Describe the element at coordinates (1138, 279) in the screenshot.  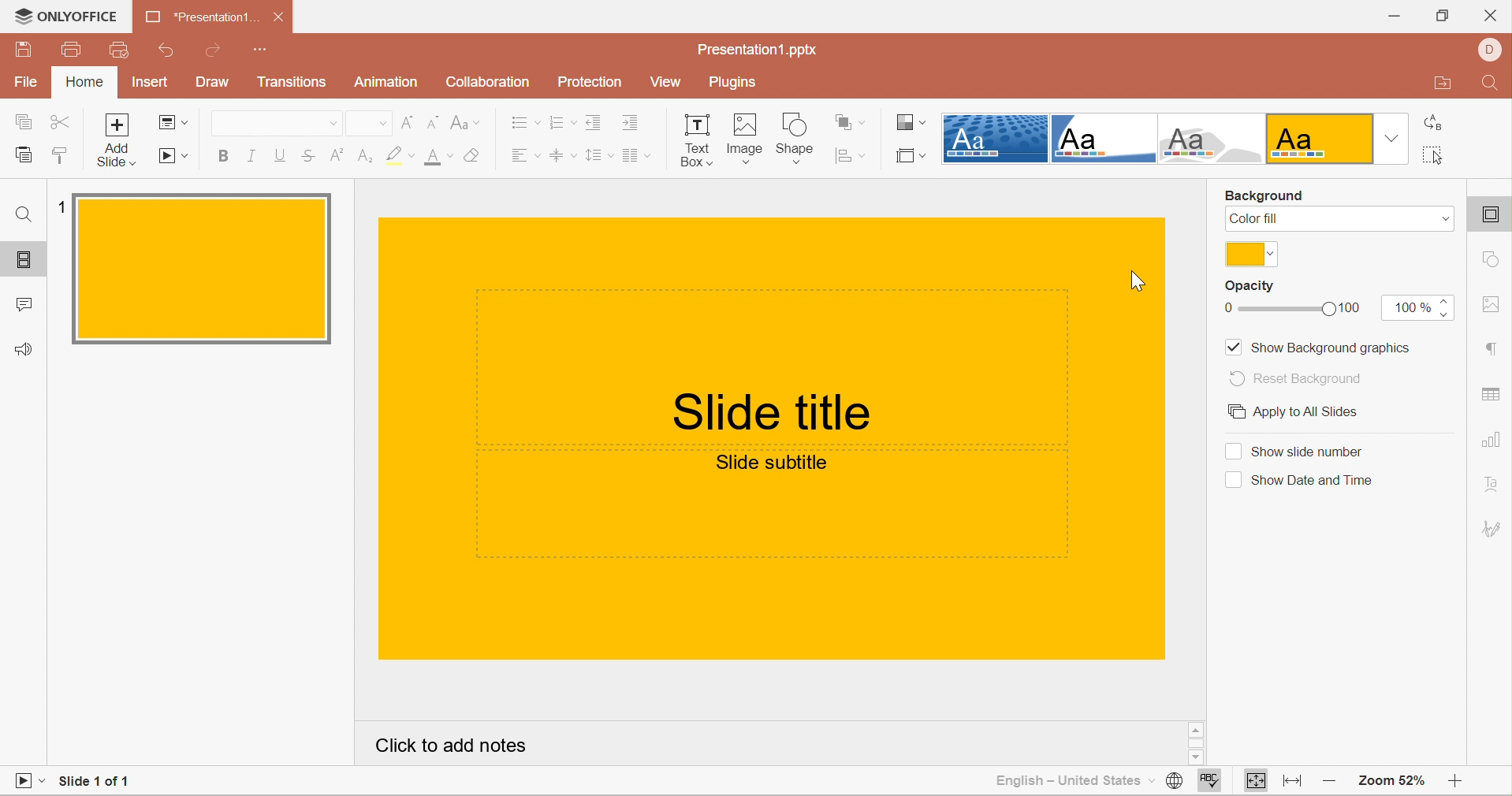
I see `Cursor` at that location.